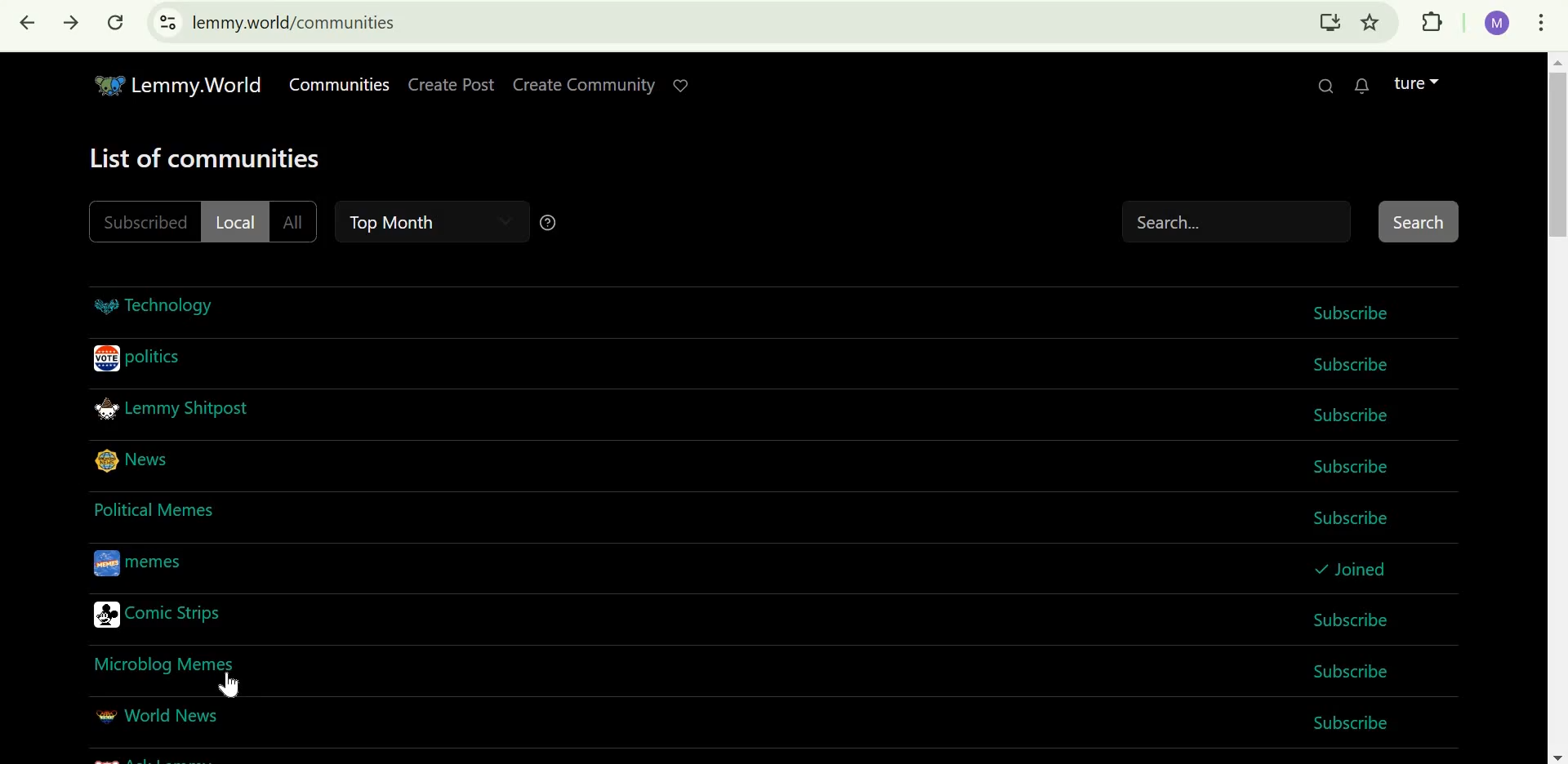  Describe the element at coordinates (1353, 722) in the screenshot. I see `subscribe` at that location.